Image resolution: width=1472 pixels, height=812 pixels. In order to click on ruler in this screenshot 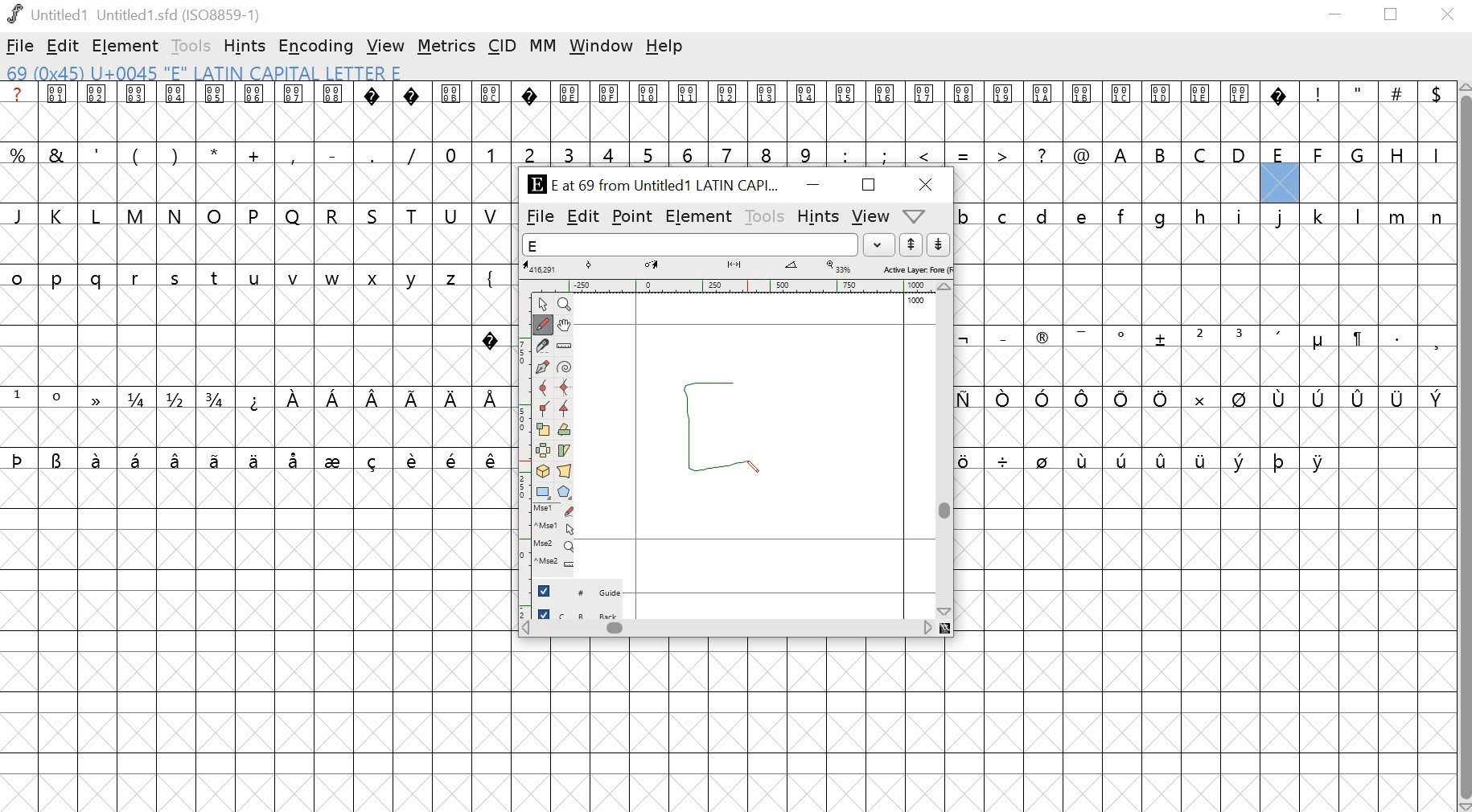, I will do `click(519, 453)`.